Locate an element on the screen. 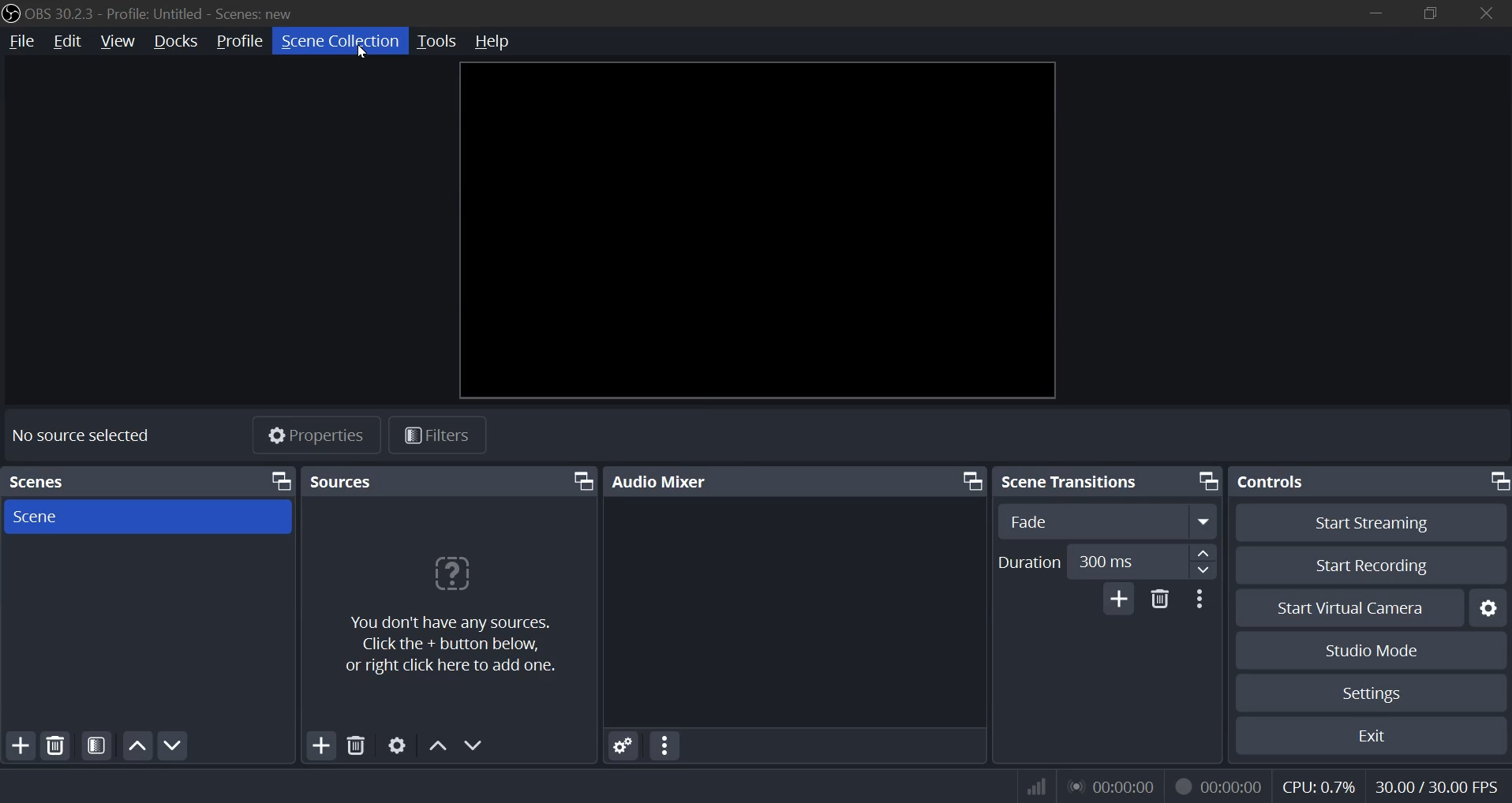 This screenshot has height=803, width=1512. up is located at coordinates (436, 743).